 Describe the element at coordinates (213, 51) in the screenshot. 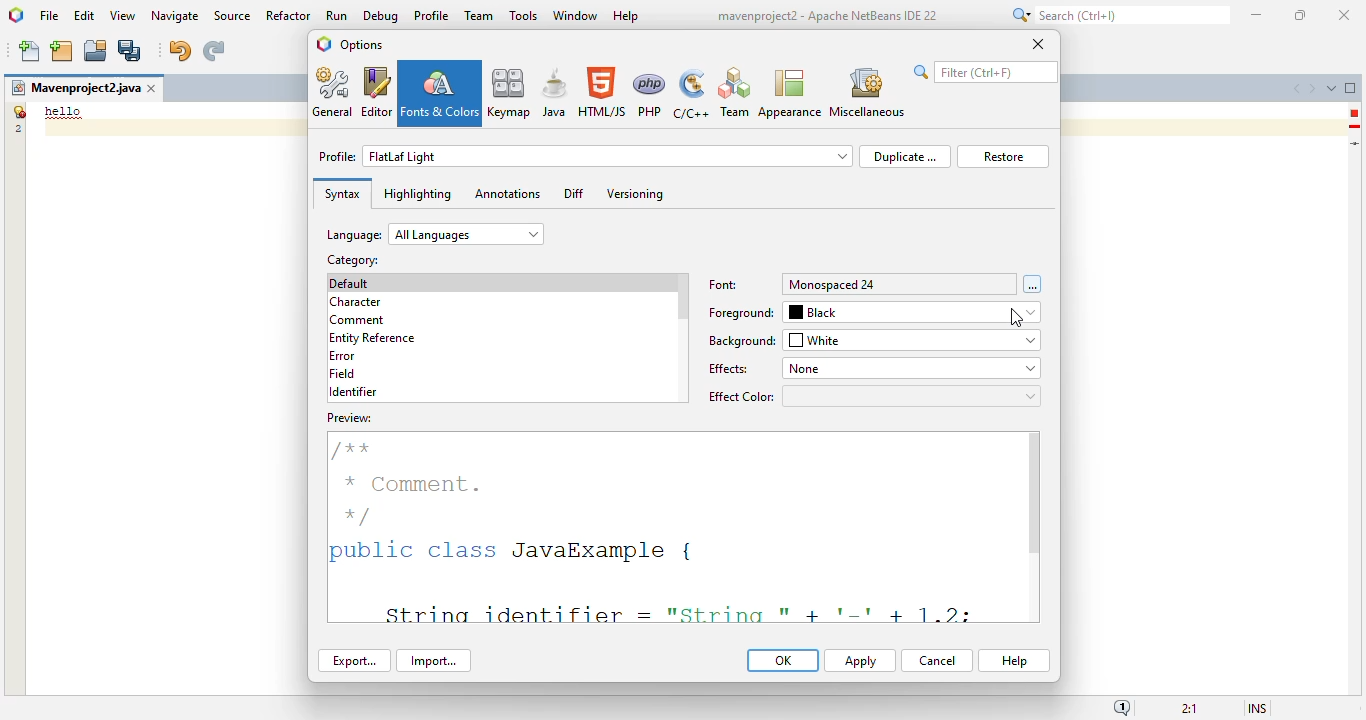

I see `redo` at that location.